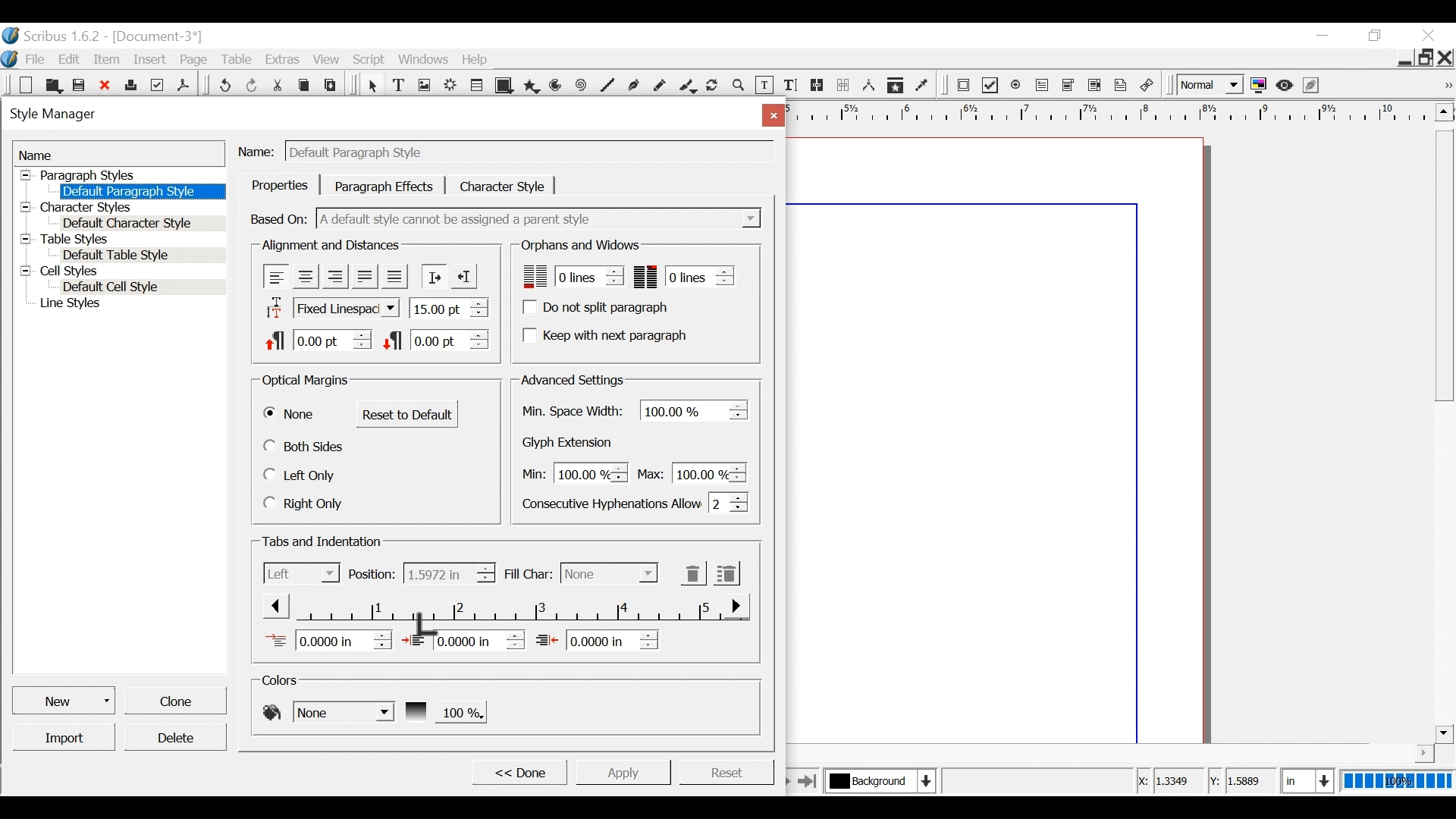  What do you see at coordinates (1212, 85) in the screenshot?
I see `Select the image preview quality` at bounding box center [1212, 85].